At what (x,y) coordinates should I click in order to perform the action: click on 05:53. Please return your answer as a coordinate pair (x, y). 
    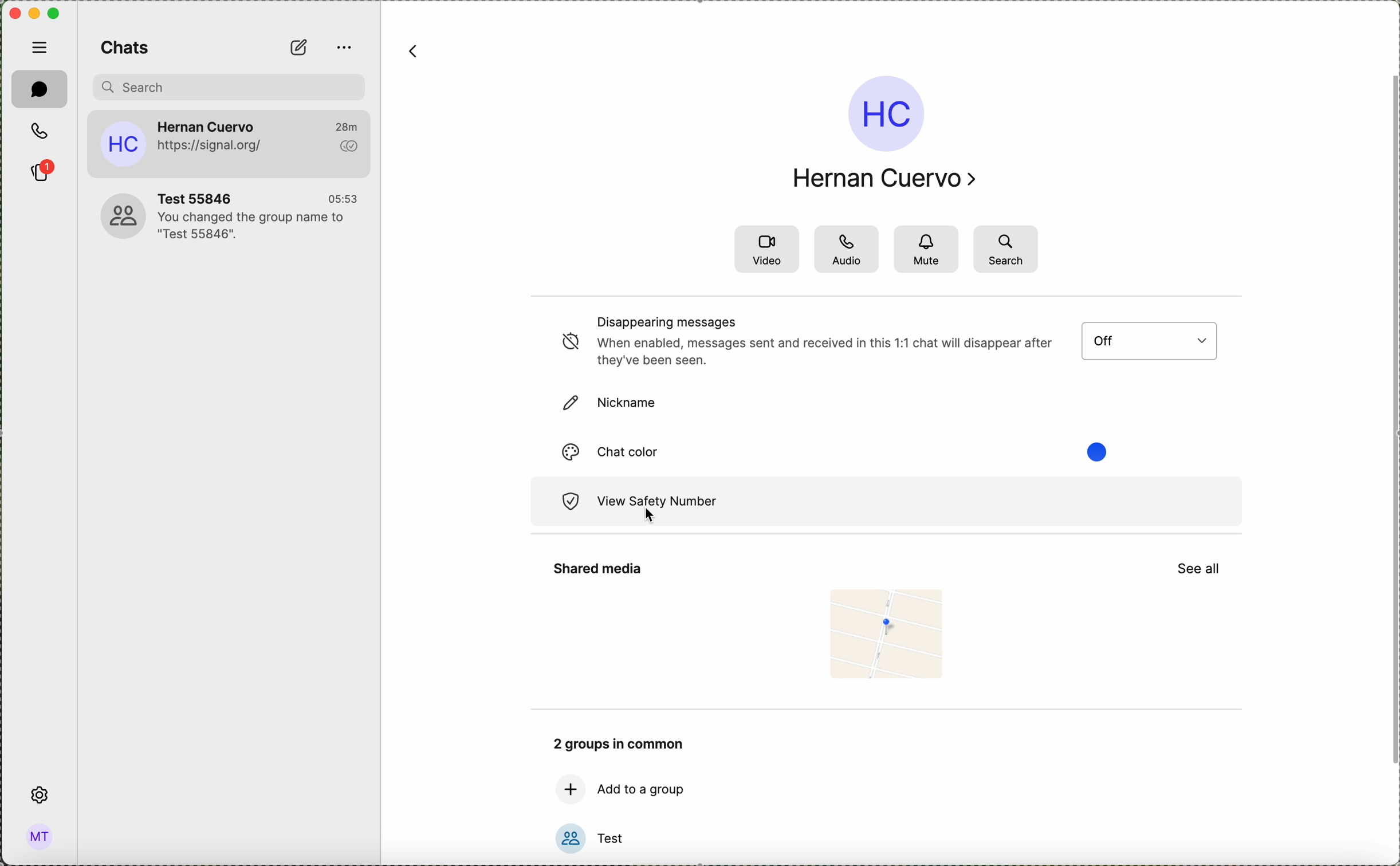
    Looking at the image, I should click on (343, 196).